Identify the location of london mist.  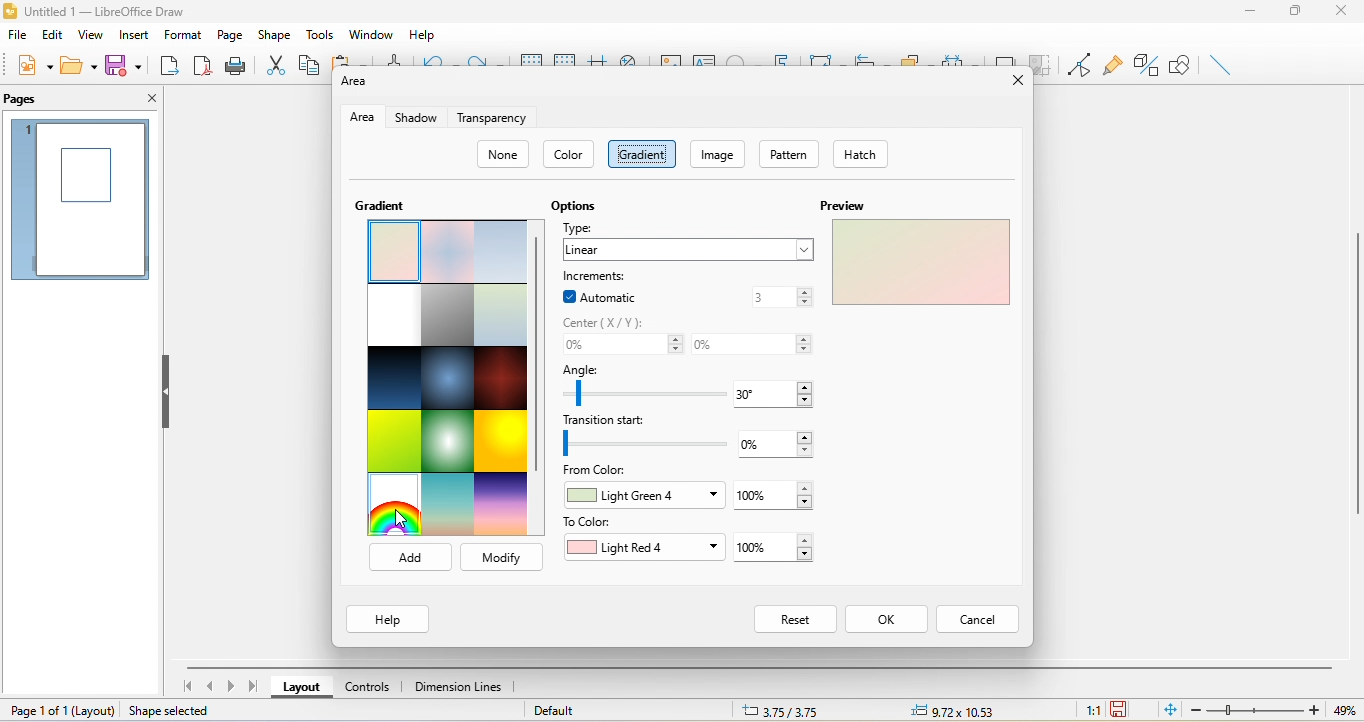
(443, 314).